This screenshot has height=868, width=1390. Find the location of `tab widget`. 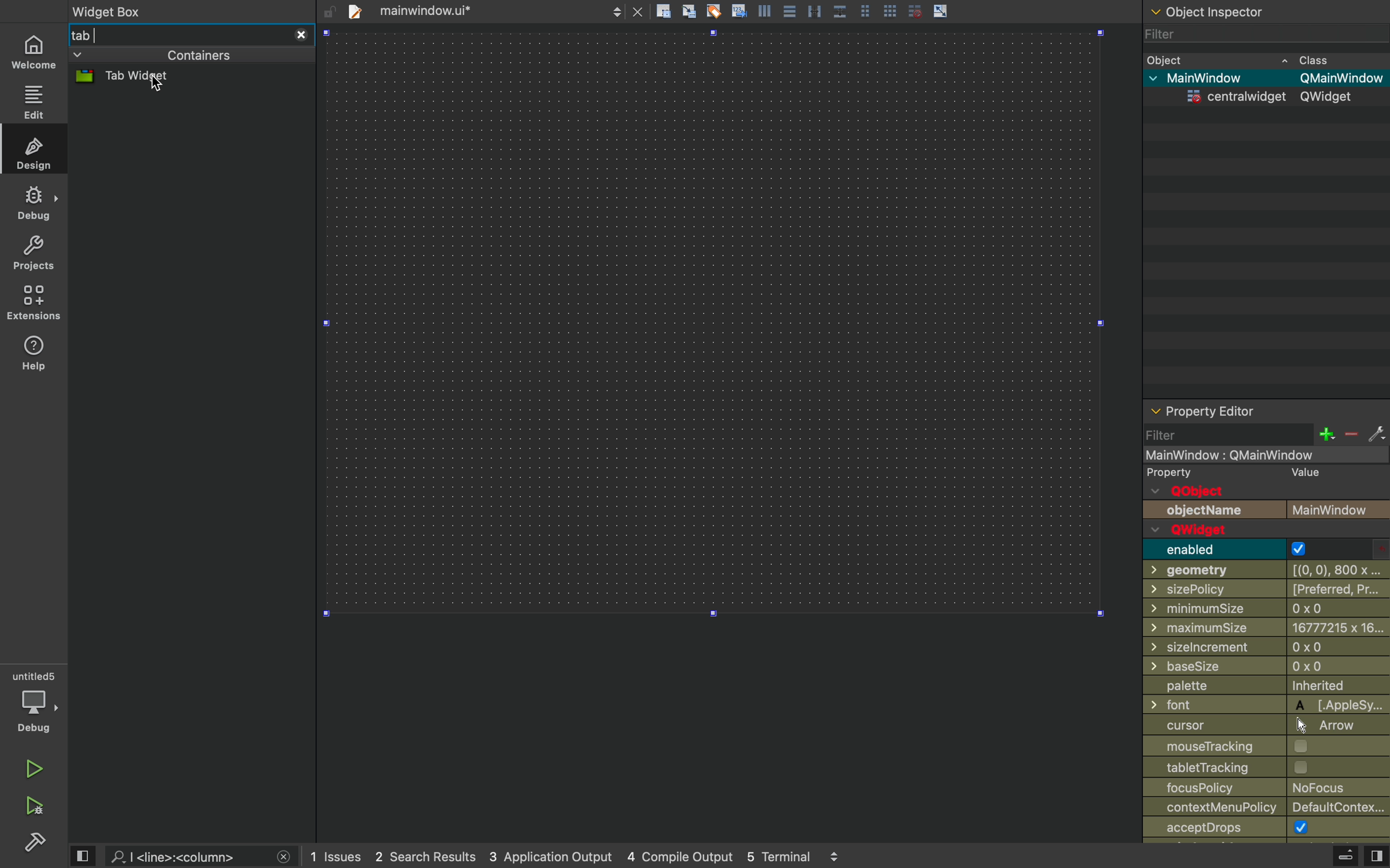

tab widget is located at coordinates (143, 77).